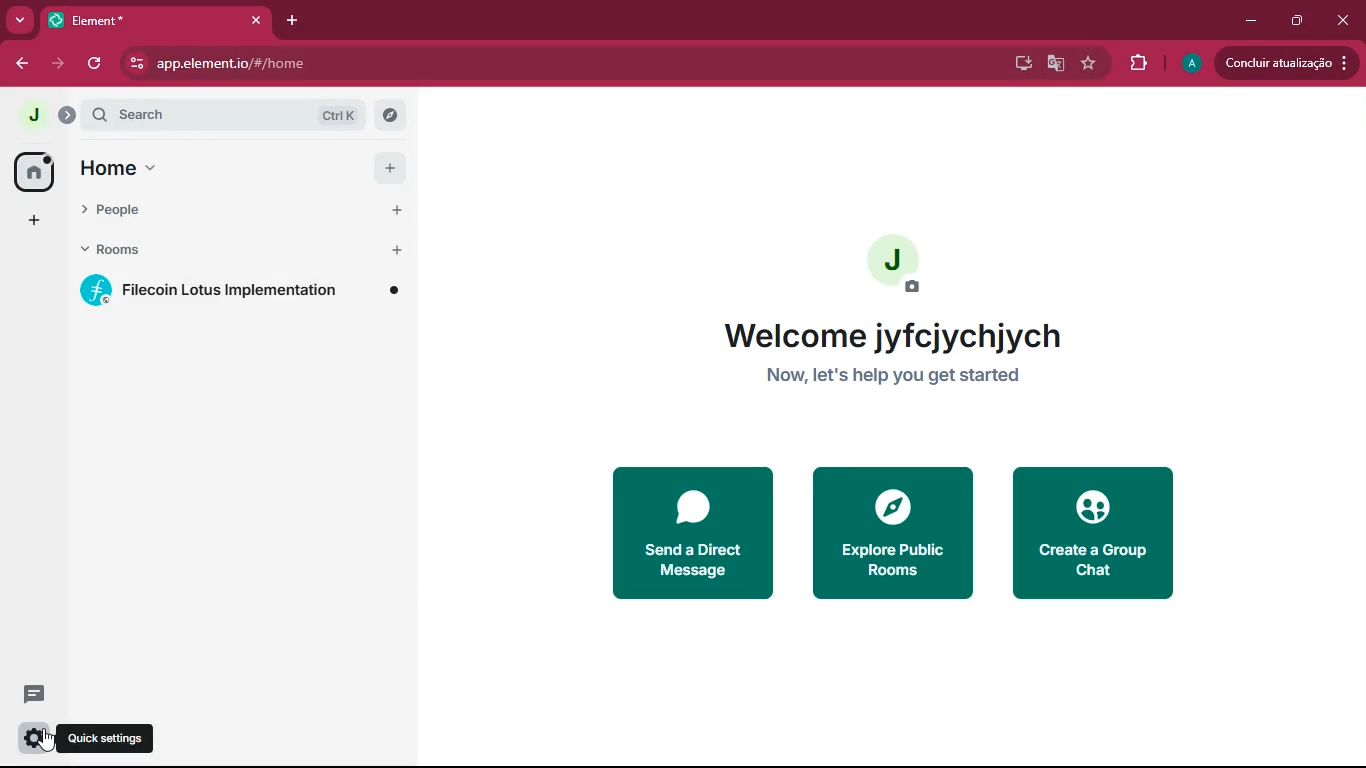 Image resolution: width=1366 pixels, height=768 pixels. I want to click on Add, so click(388, 171).